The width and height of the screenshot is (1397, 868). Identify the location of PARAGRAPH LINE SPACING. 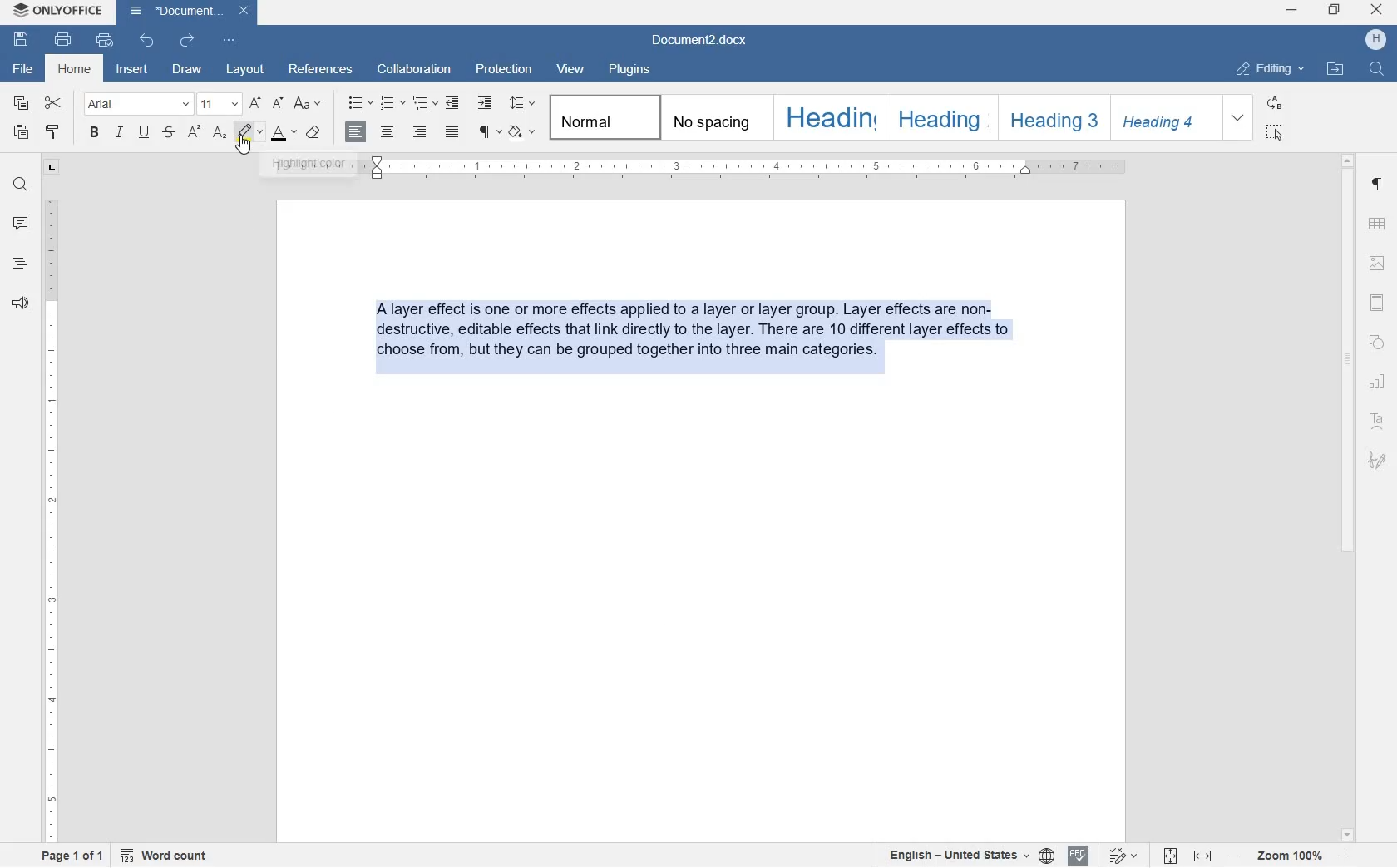
(522, 104).